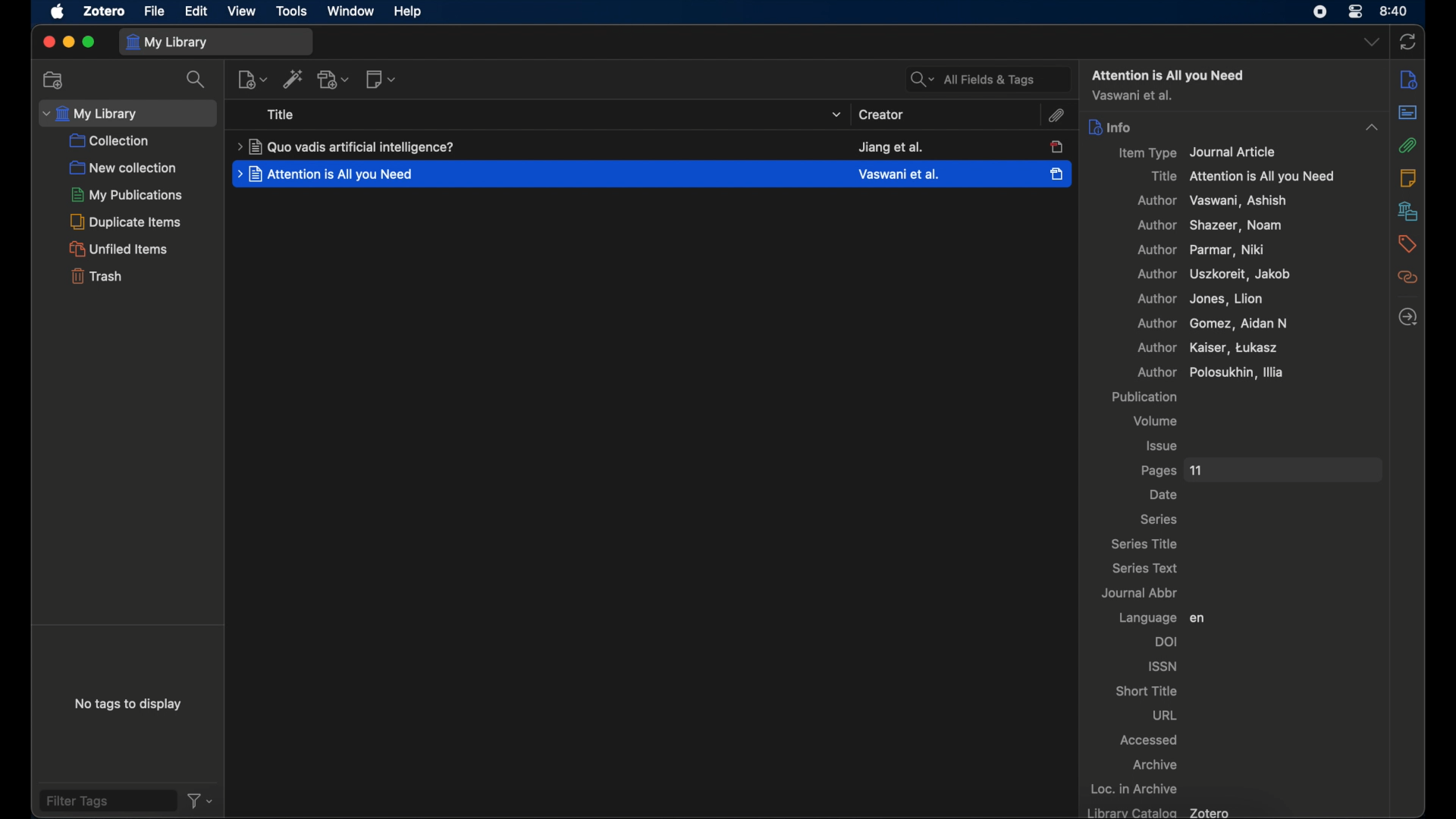 Image resolution: width=1456 pixels, height=819 pixels. I want to click on libraries and collections, so click(1407, 212).